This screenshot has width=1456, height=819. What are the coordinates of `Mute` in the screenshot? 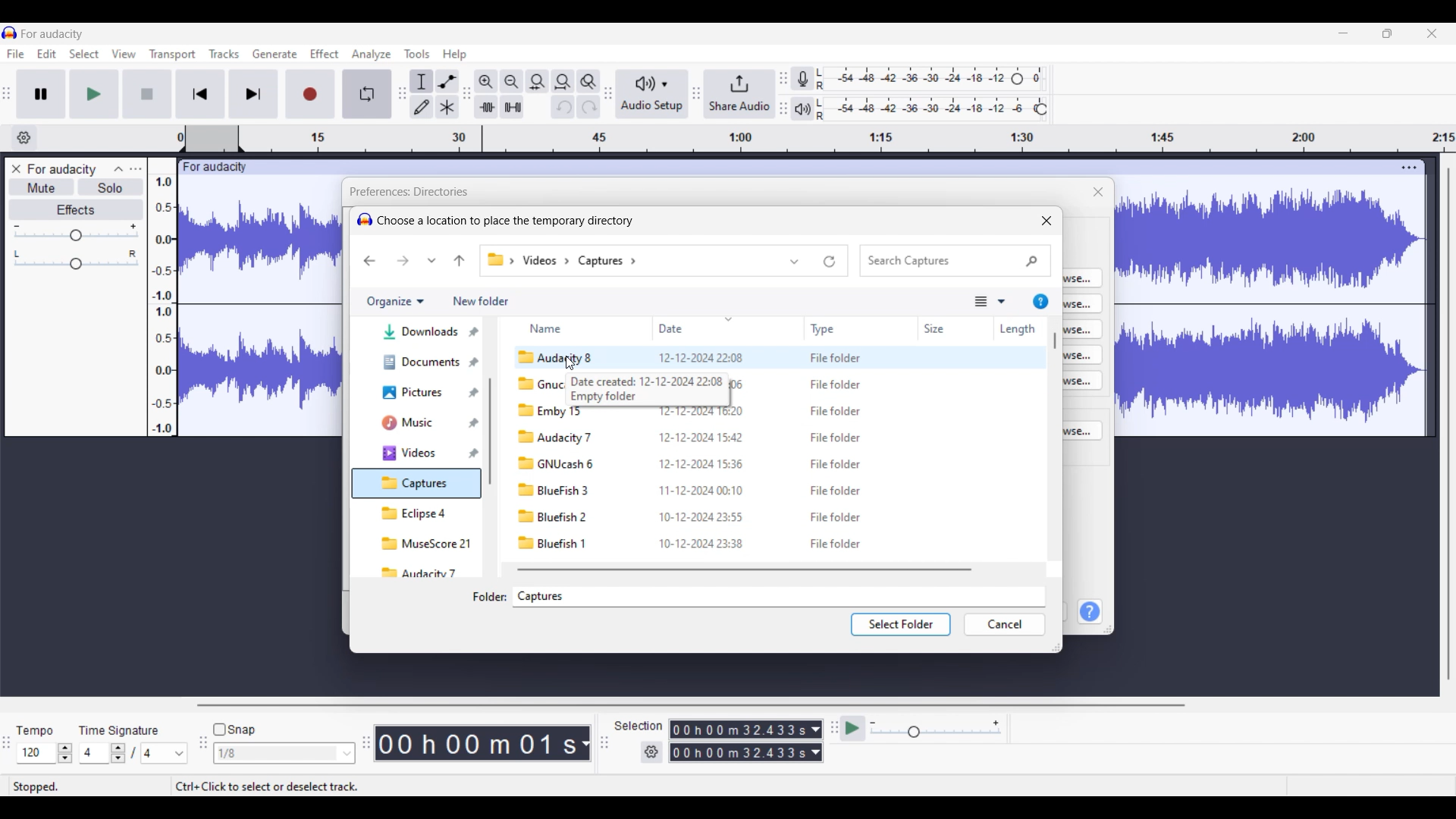 It's located at (42, 187).